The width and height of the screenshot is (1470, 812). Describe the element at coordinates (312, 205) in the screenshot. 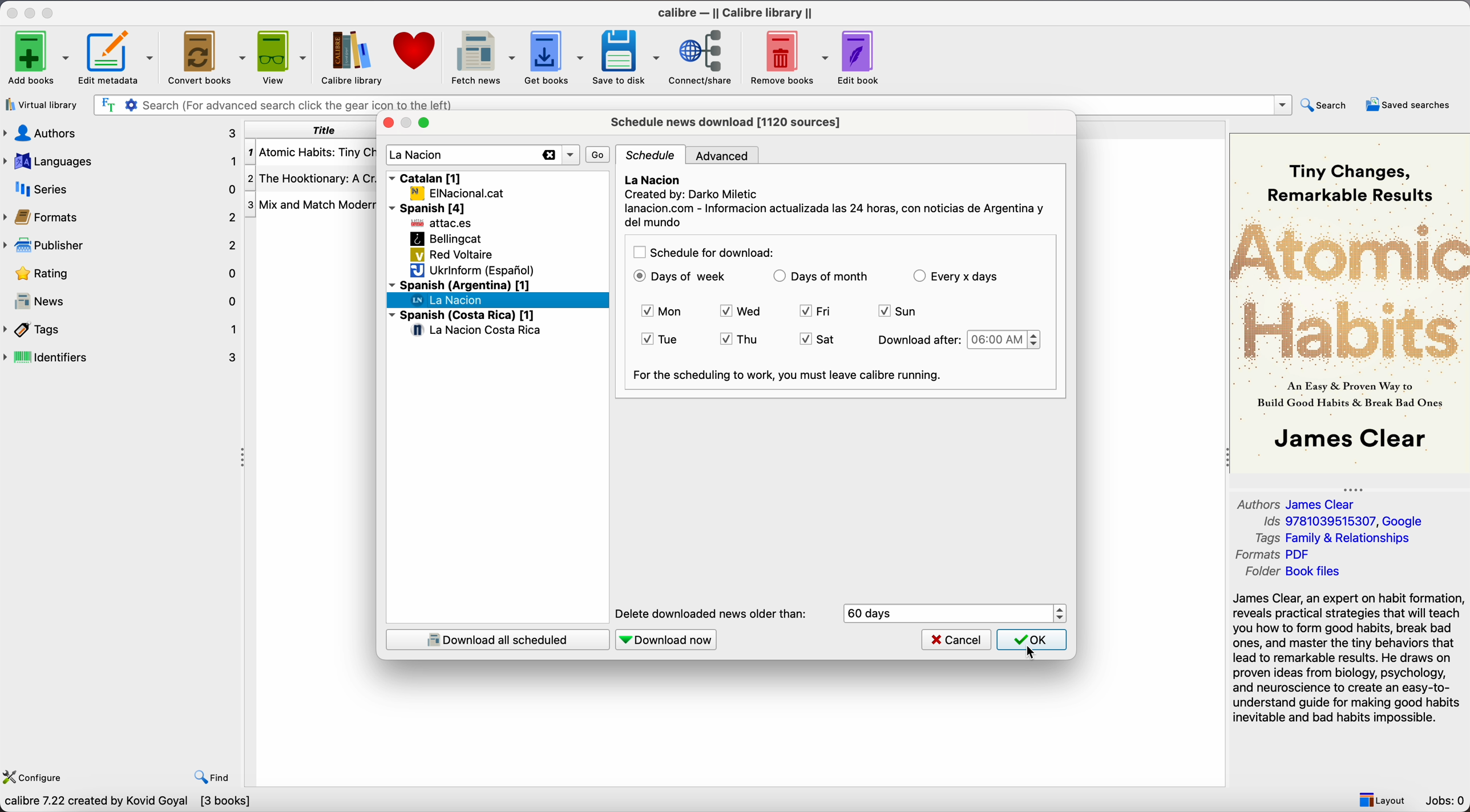

I see `Mix and Match Modern... ` at that location.